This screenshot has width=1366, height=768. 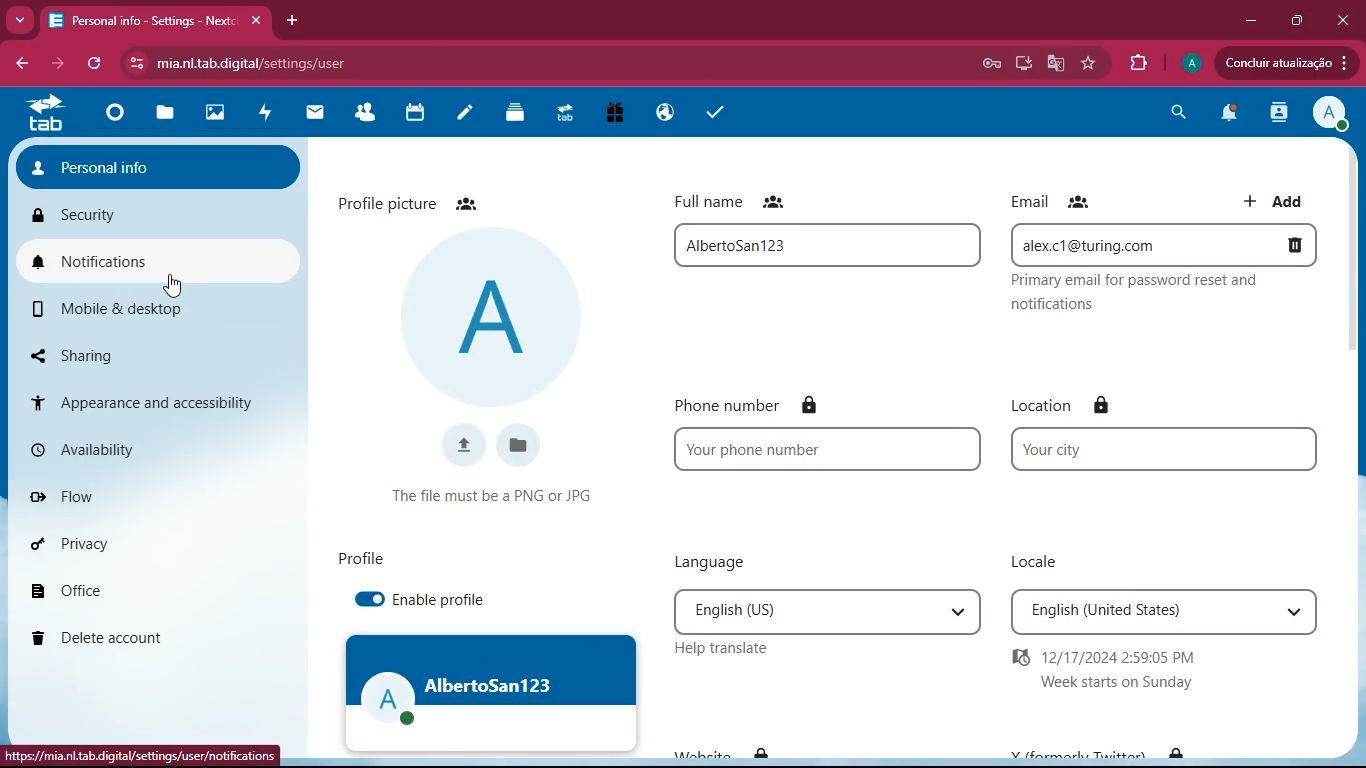 I want to click on appearance & accessibility, so click(x=132, y=398).